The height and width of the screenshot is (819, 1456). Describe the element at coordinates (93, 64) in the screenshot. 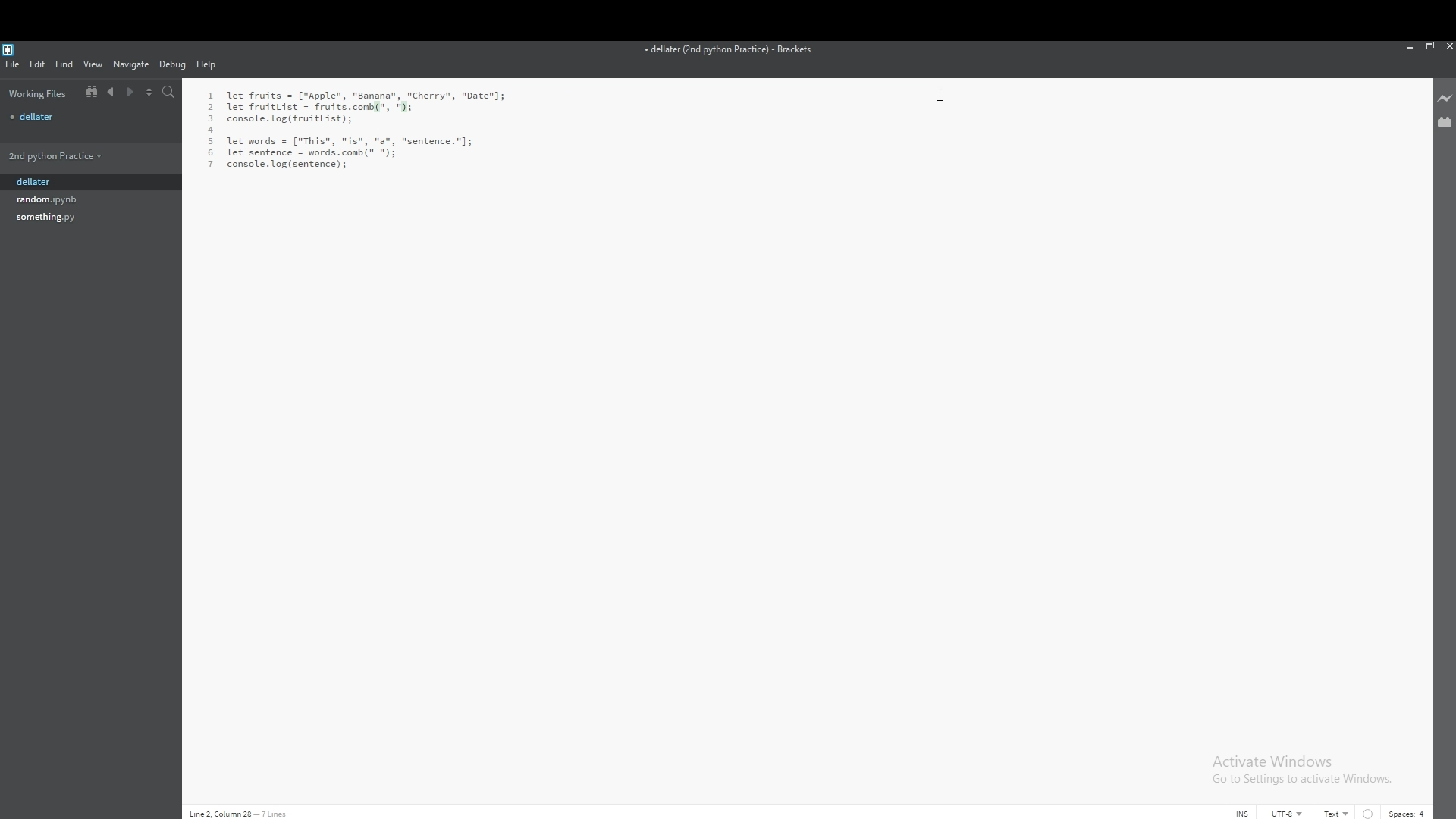

I see `view` at that location.